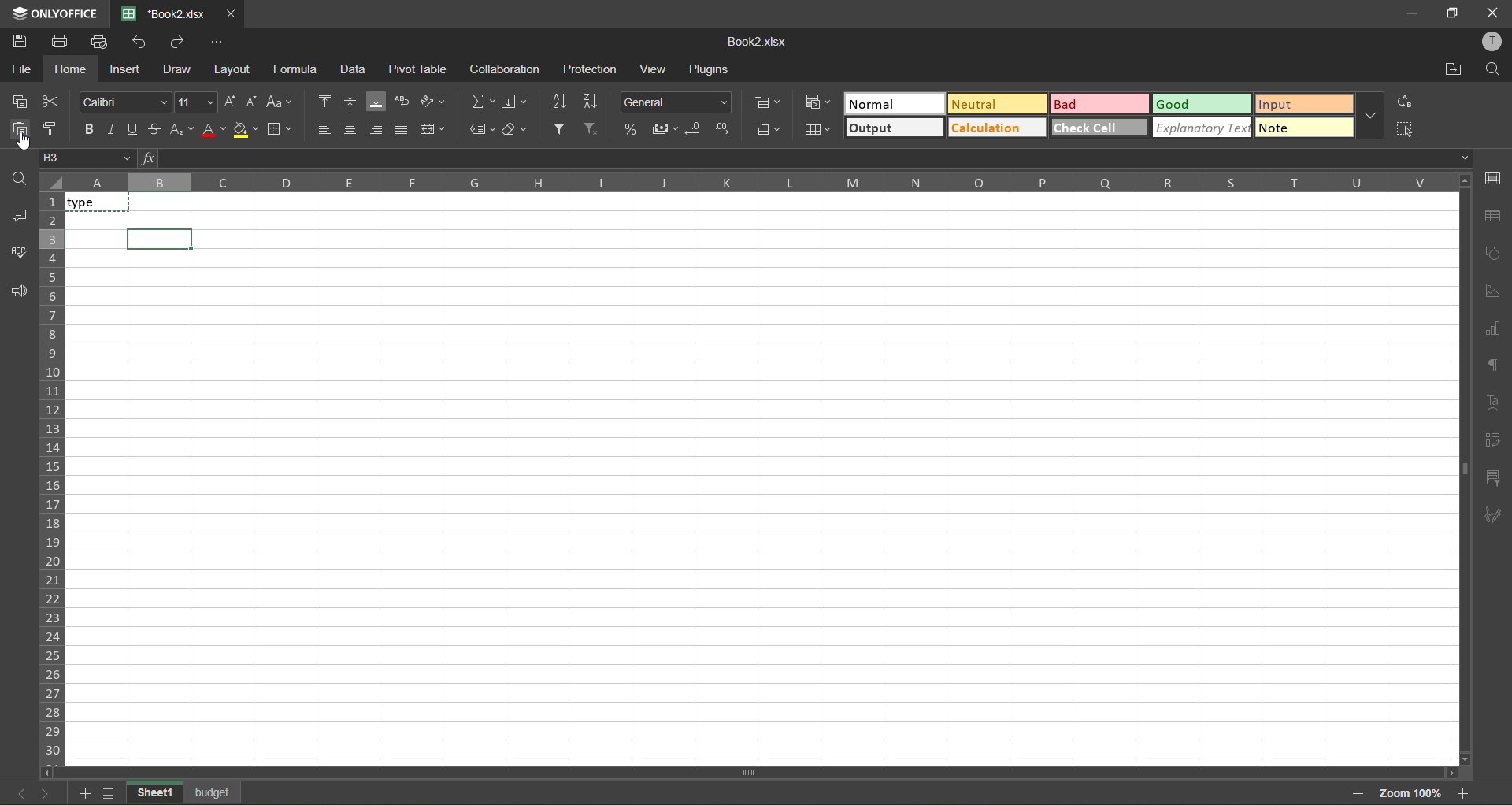 Image resolution: width=1512 pixels, height=805 pixels. What do you see at coordinates (52, 478) in the screenshot?
I see `row numbers` at bounding box center [52, 478].